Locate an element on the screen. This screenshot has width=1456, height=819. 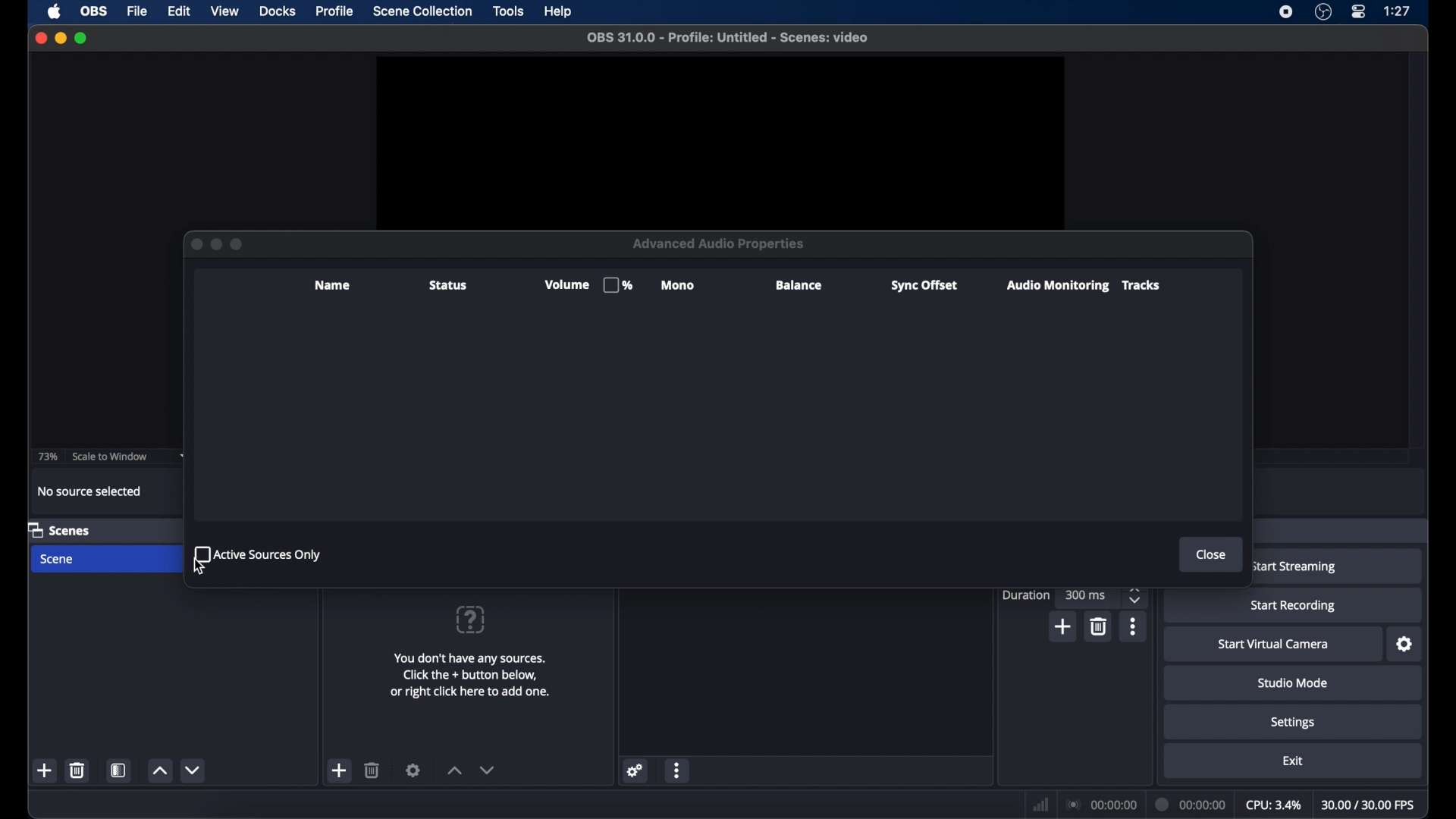
add is located at coordinates (340, 771).